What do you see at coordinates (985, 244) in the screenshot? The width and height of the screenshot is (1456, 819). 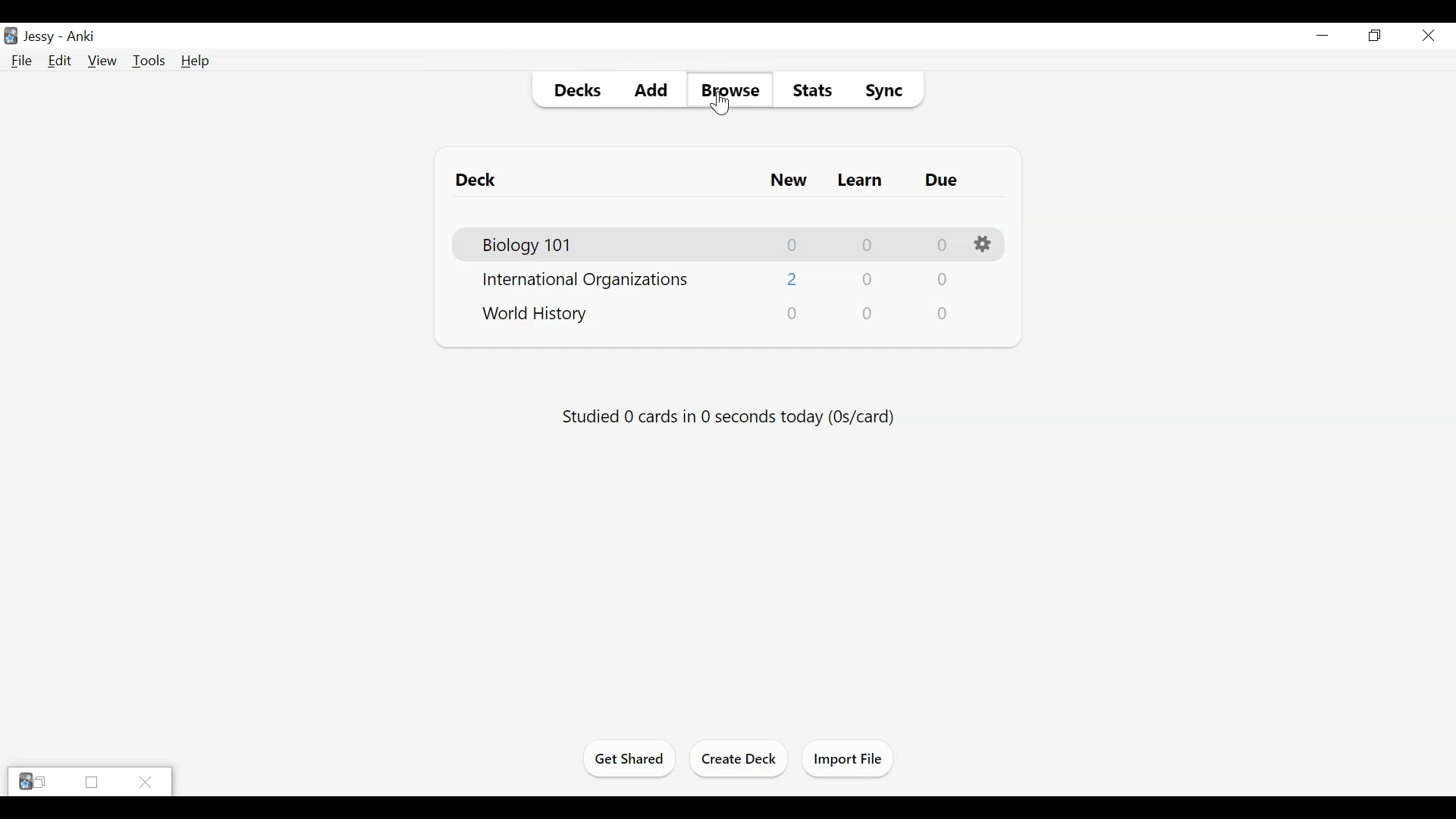 I see `More Options` at bounding box center [985, 244].